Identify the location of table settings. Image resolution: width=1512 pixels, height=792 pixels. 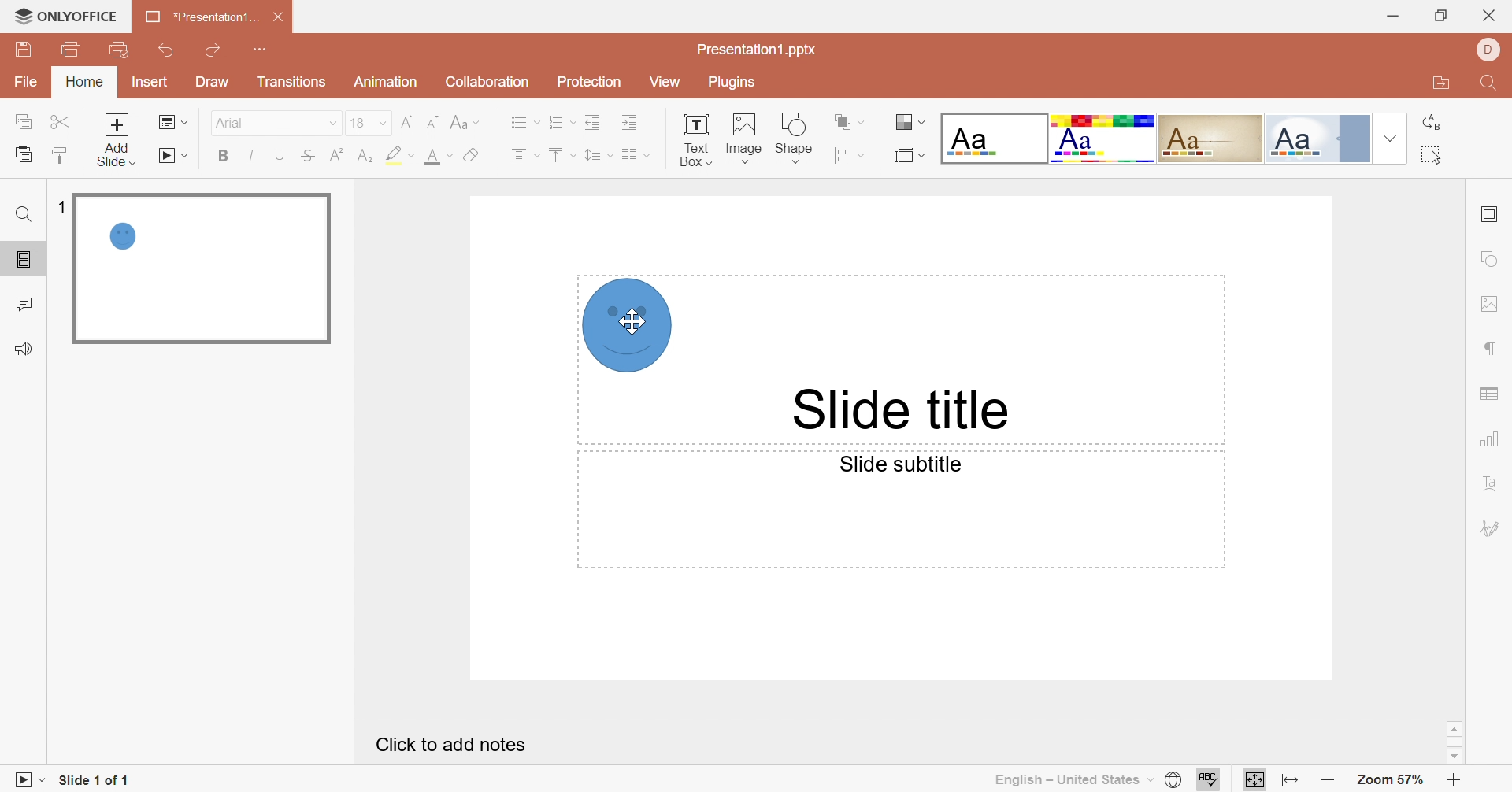
(1496, 393).